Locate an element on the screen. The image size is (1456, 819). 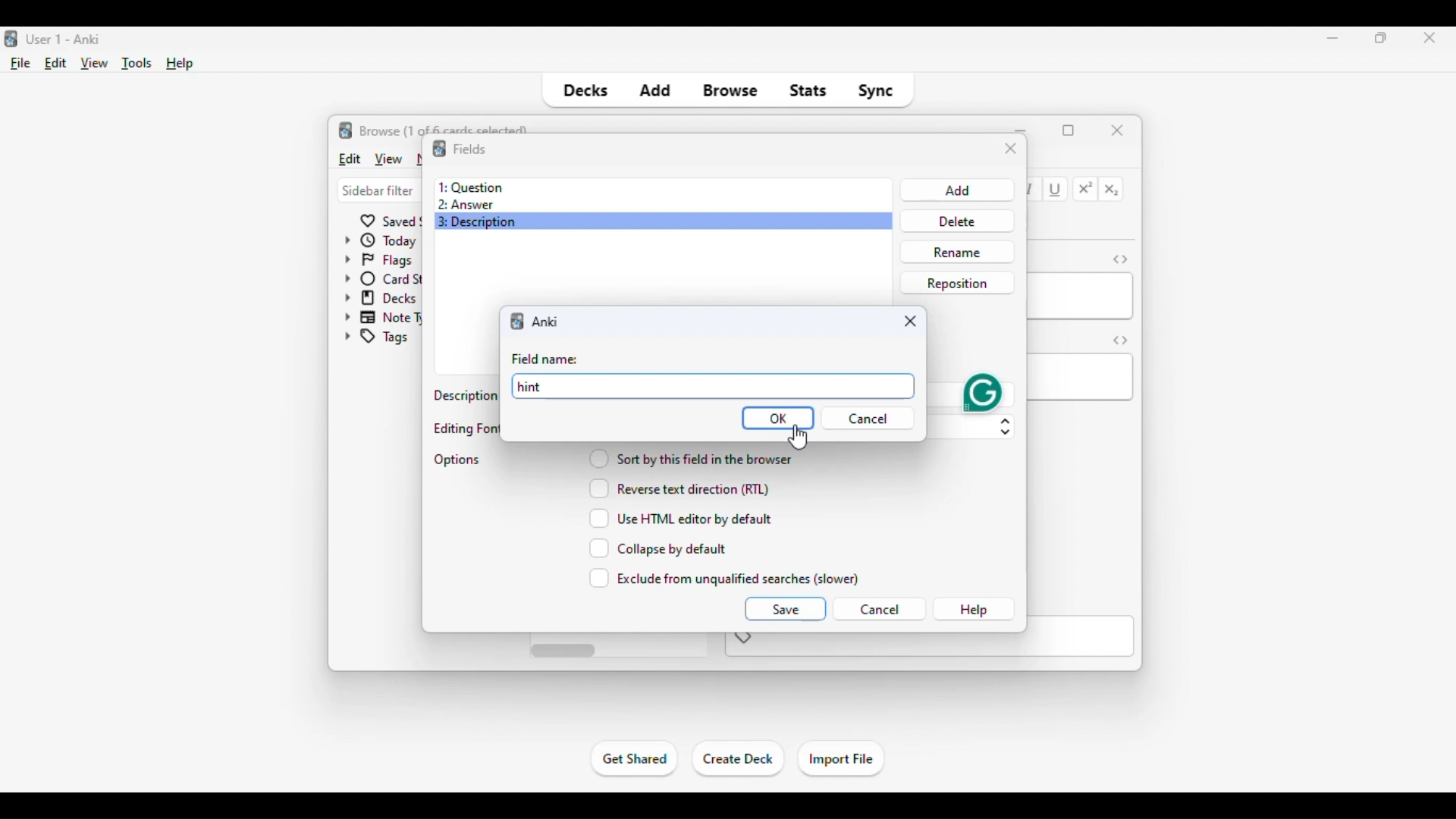
minimize is located at coordinates (1022, 129).